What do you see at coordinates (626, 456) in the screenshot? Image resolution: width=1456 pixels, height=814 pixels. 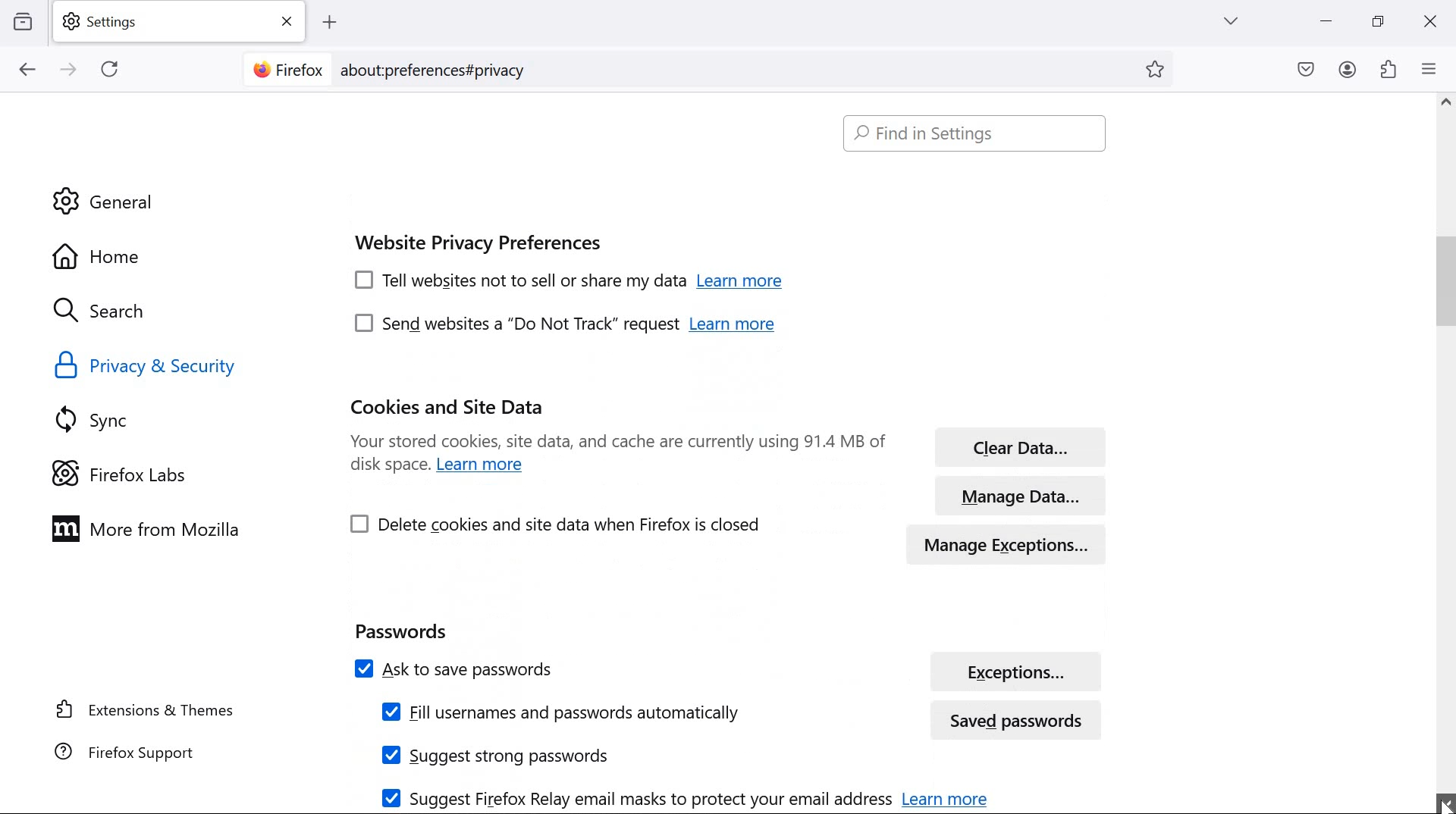 I see `Your stored cookies, site data, and cache are currently using 91.4 MB of
disk space. Learn more` at bounding box center [626, 456].